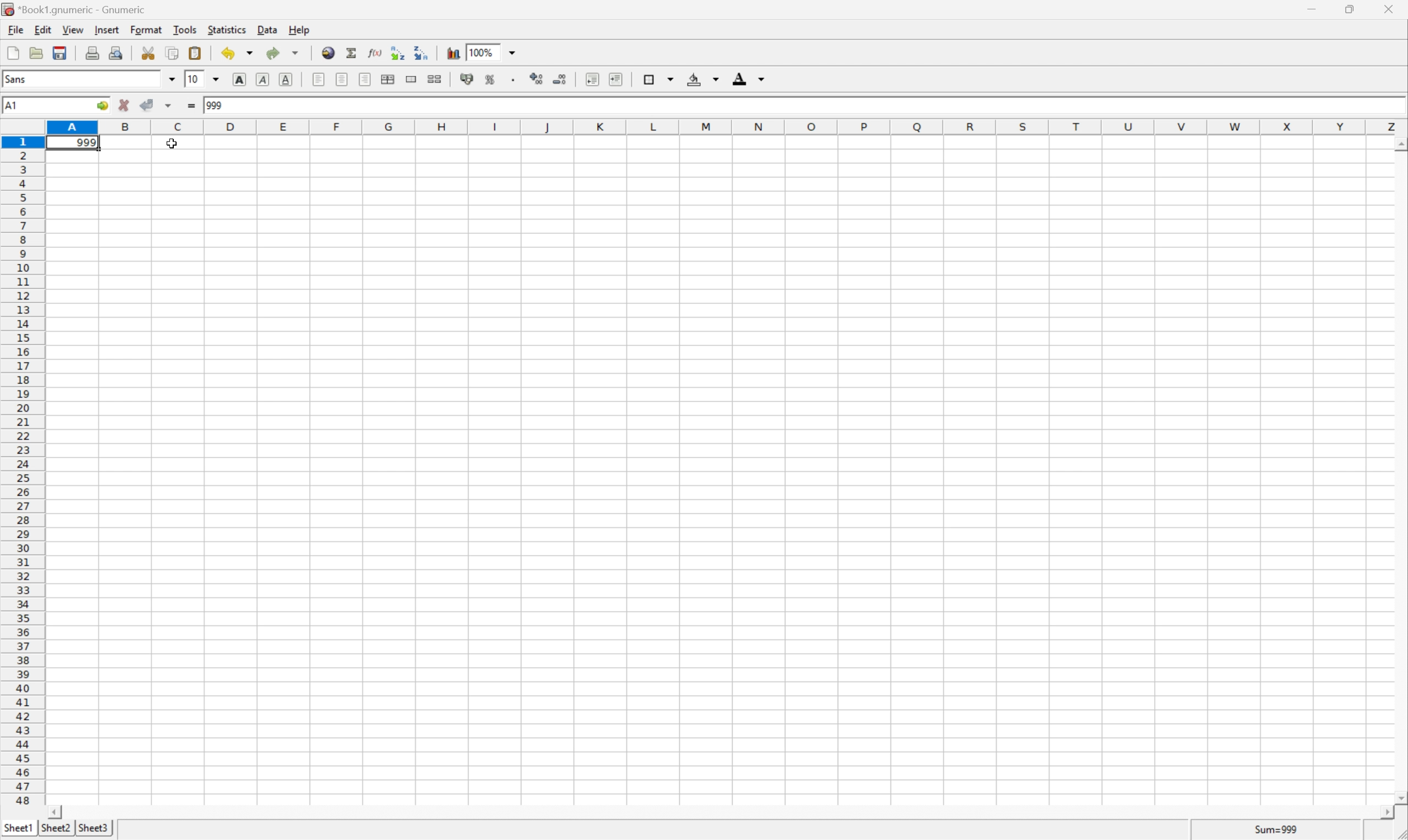 Image resolution: width=1408 pixels, height=840 pixels. I want to click on row numbers, so click(23, 472).